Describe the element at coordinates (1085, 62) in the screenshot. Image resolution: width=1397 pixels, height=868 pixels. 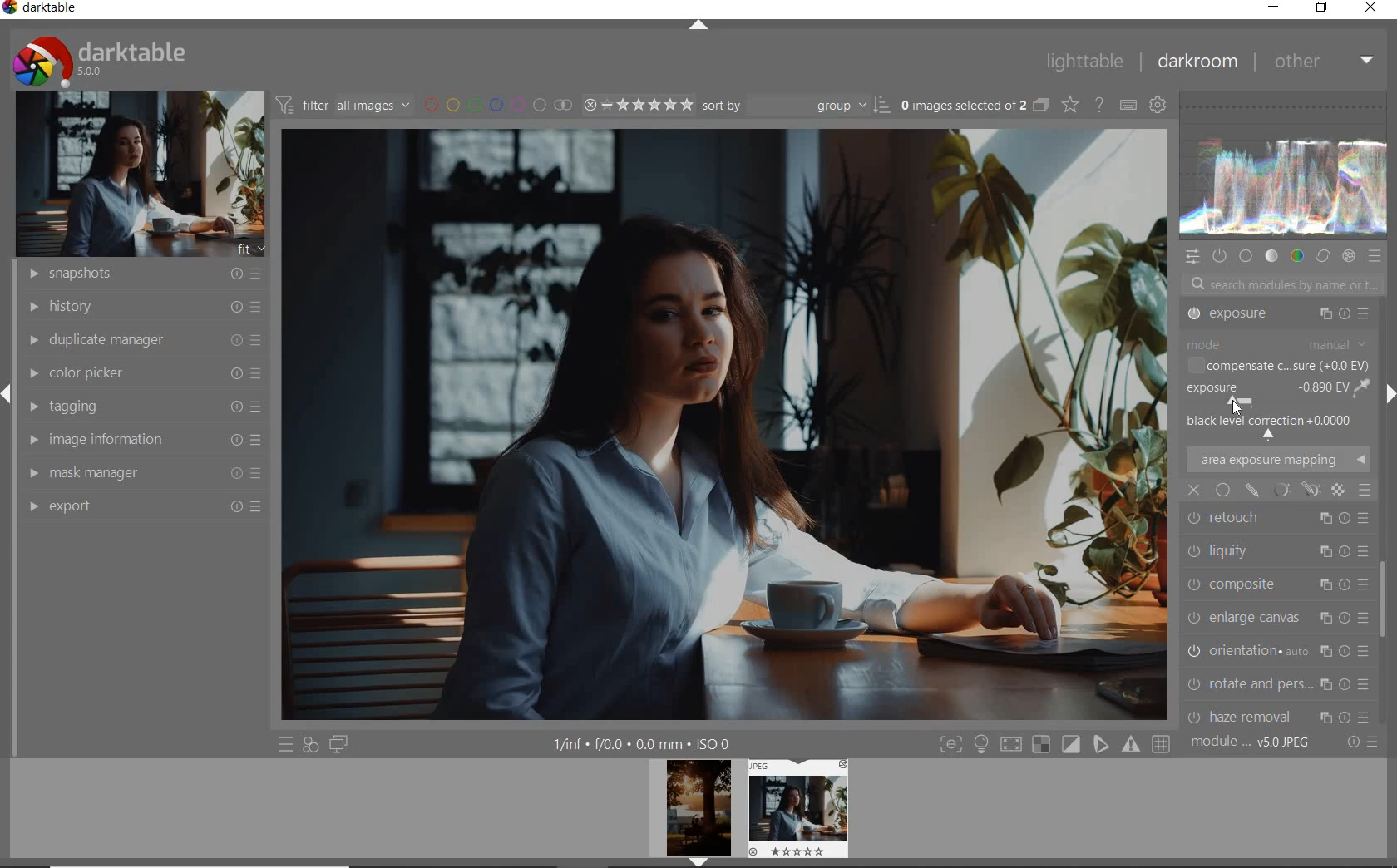
I see `LIGHTTABLE` at that location.